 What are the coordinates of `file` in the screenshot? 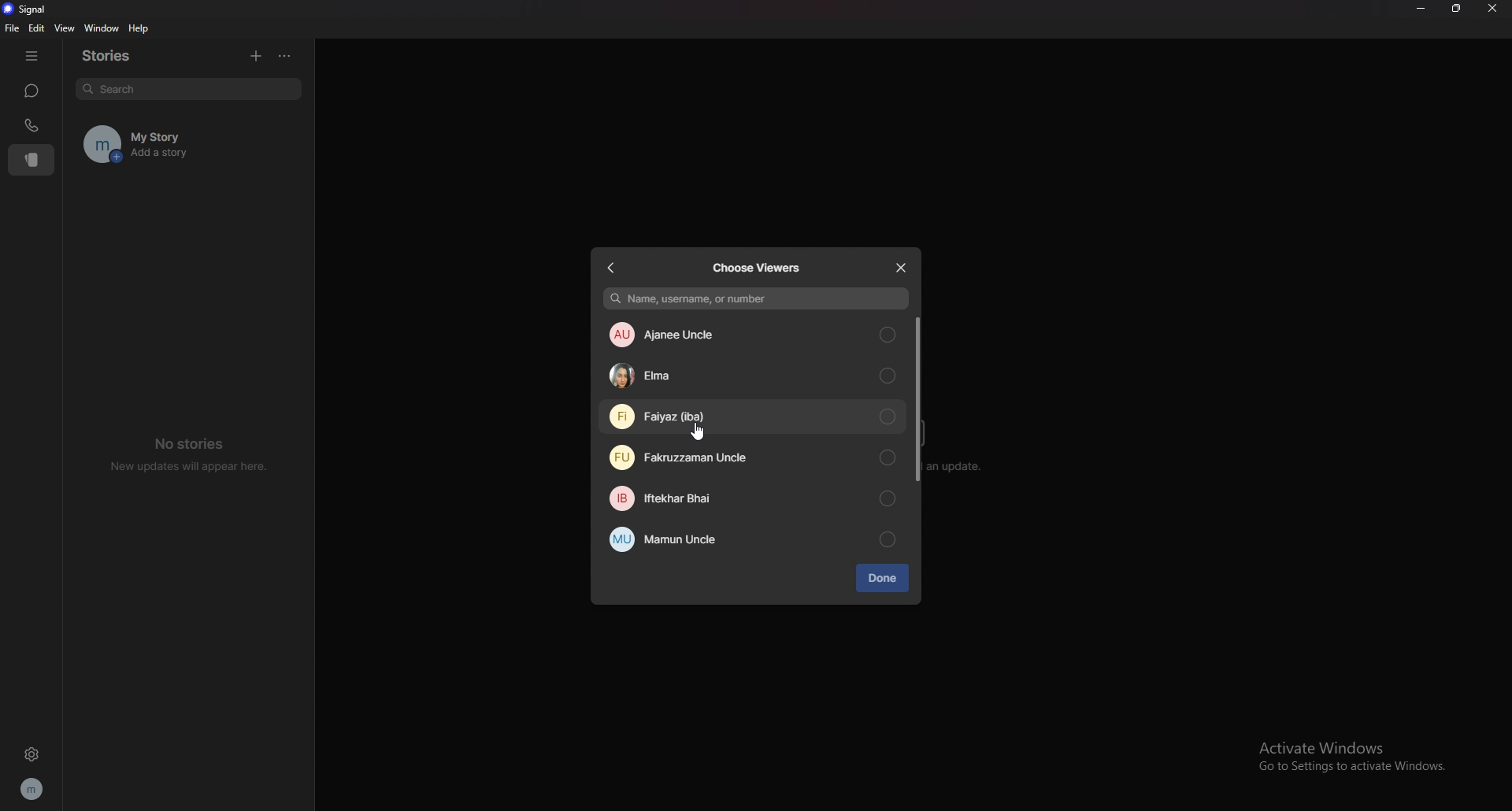 It's located at (12, 28).